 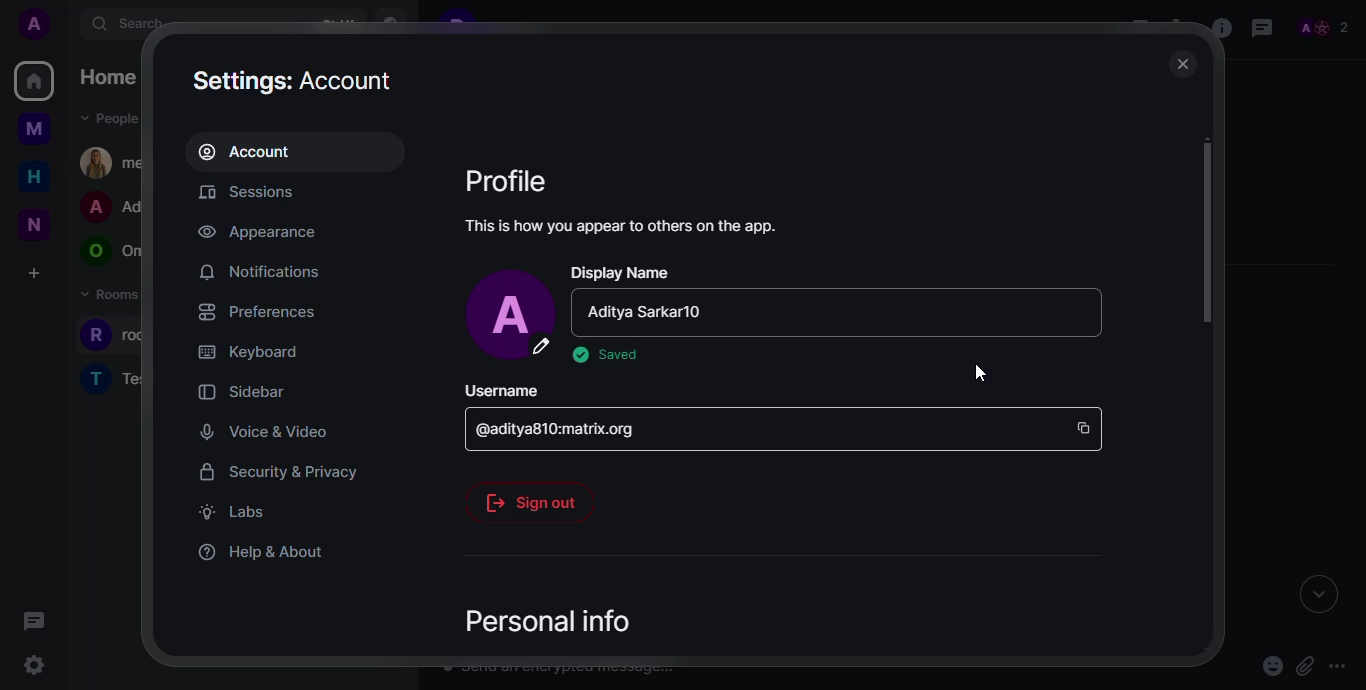 What do you see at coordinates (296, 79) in the screenshot?
I see `settings` at bounding box center [296, 79].